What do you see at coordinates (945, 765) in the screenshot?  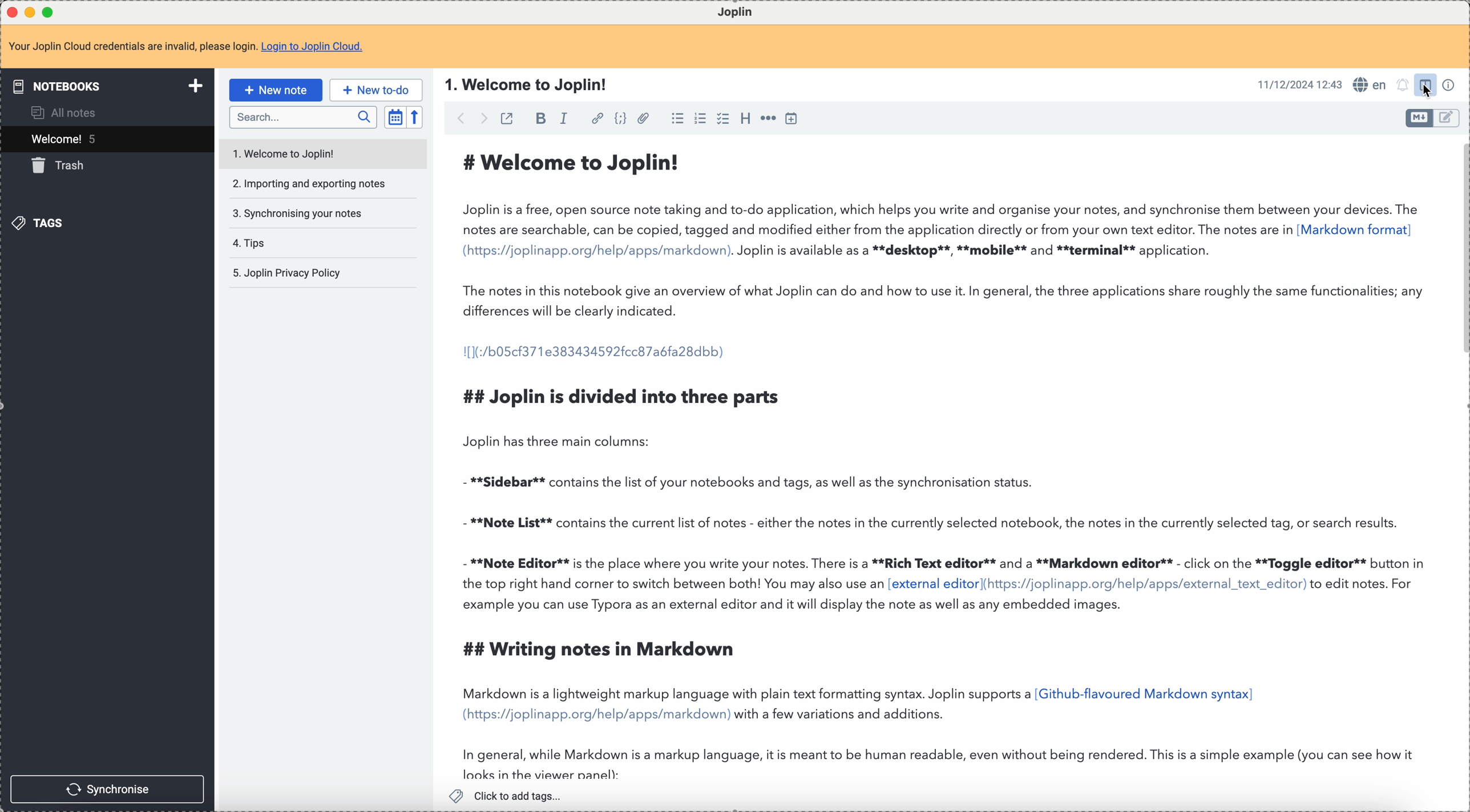 I see `In general, while Markdown is a markup language, it is meant to be human readable, even without being rendered. This is a simple example (you can see how it
looks in the viewer panel):` at bounding box center [945, 765].